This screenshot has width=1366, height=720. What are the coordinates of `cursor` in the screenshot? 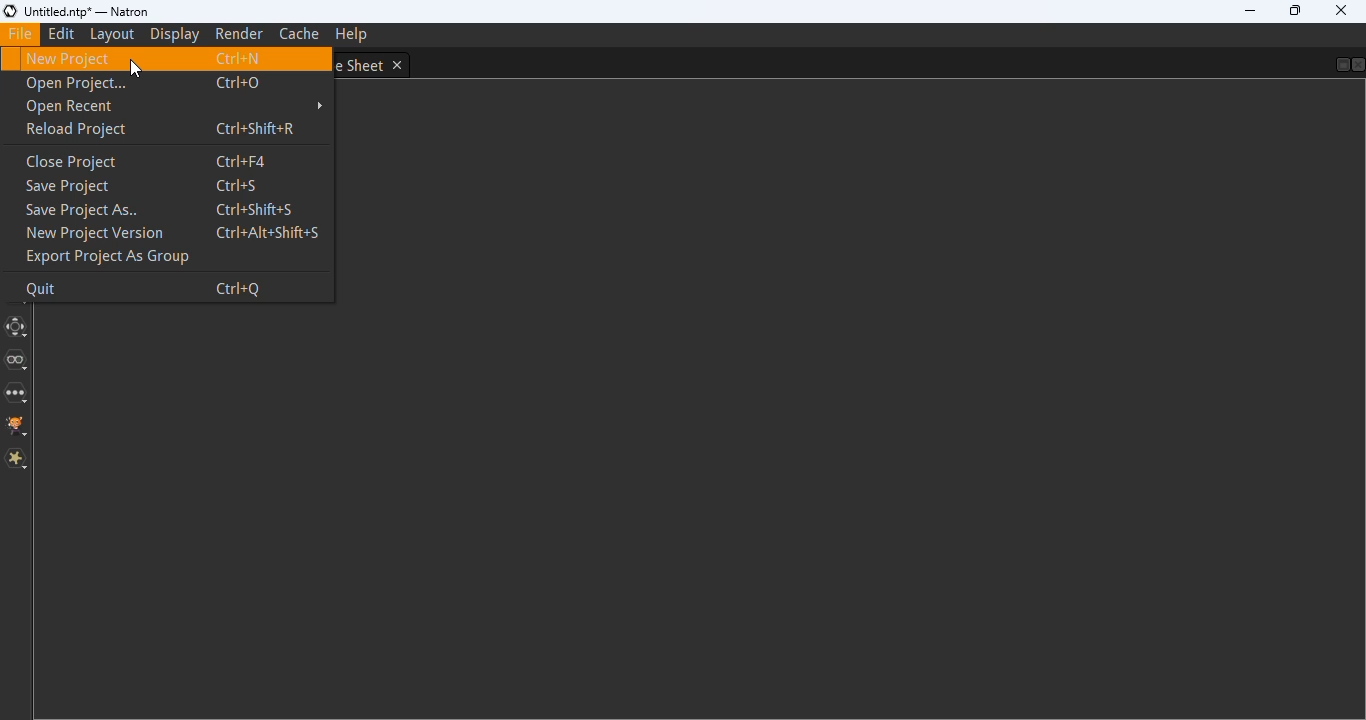 It's located at (136, 67).